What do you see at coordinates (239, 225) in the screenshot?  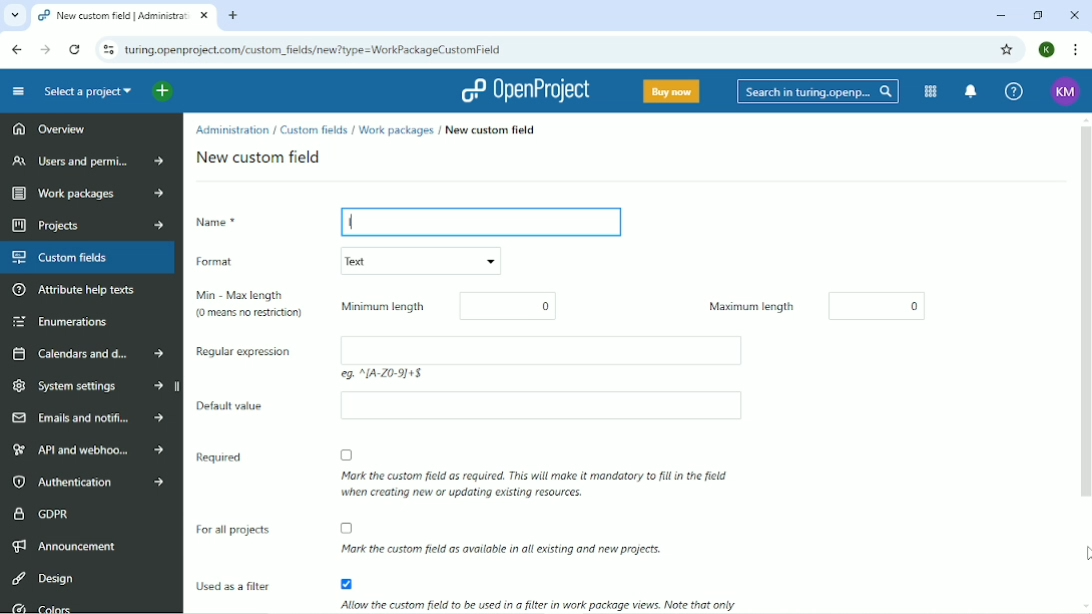 I see `Name` at bounding box center [239, 225].